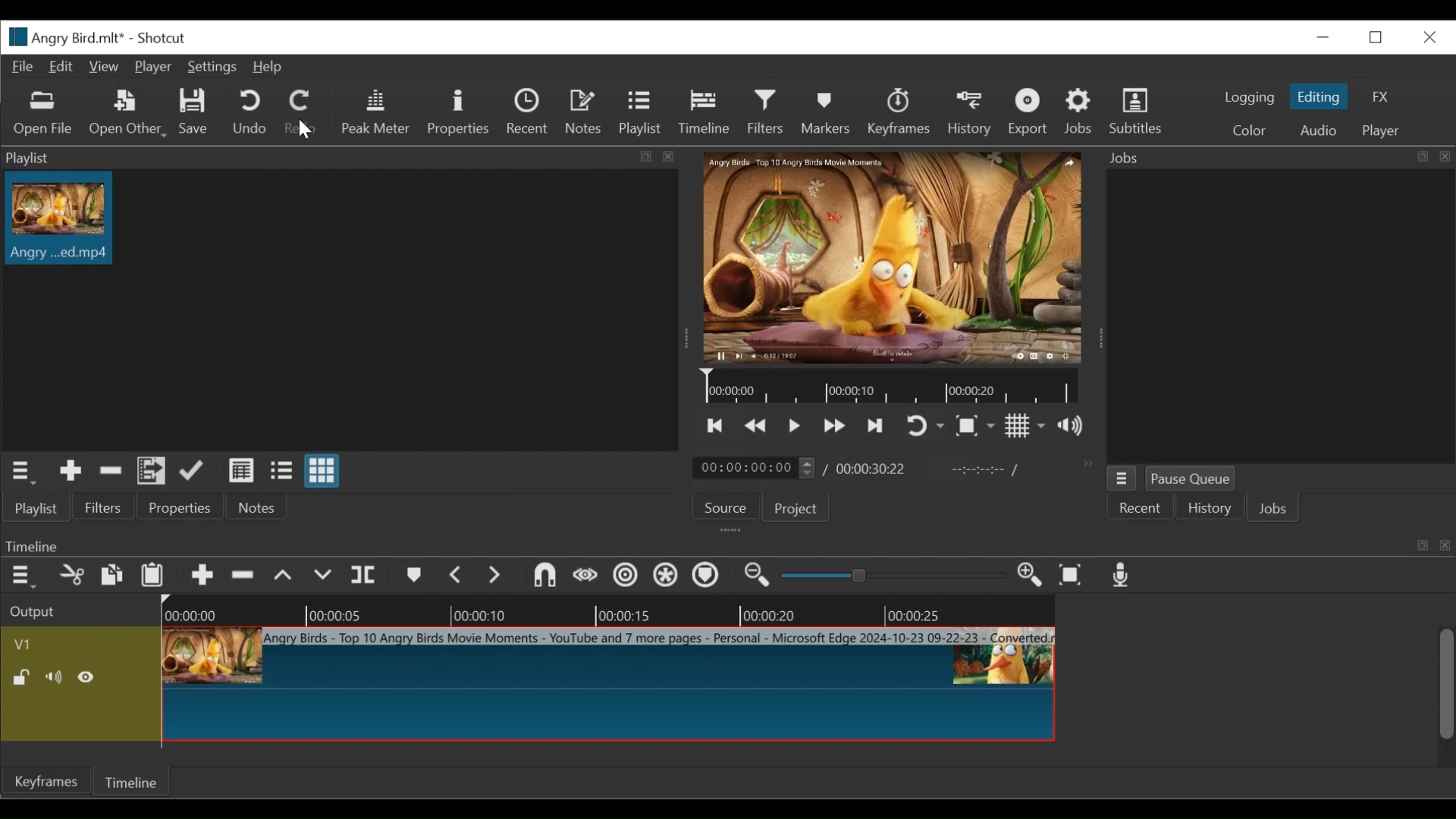  Describe the element at coordinates (89, 676) in the screenshot. I see `Hide` at that location.